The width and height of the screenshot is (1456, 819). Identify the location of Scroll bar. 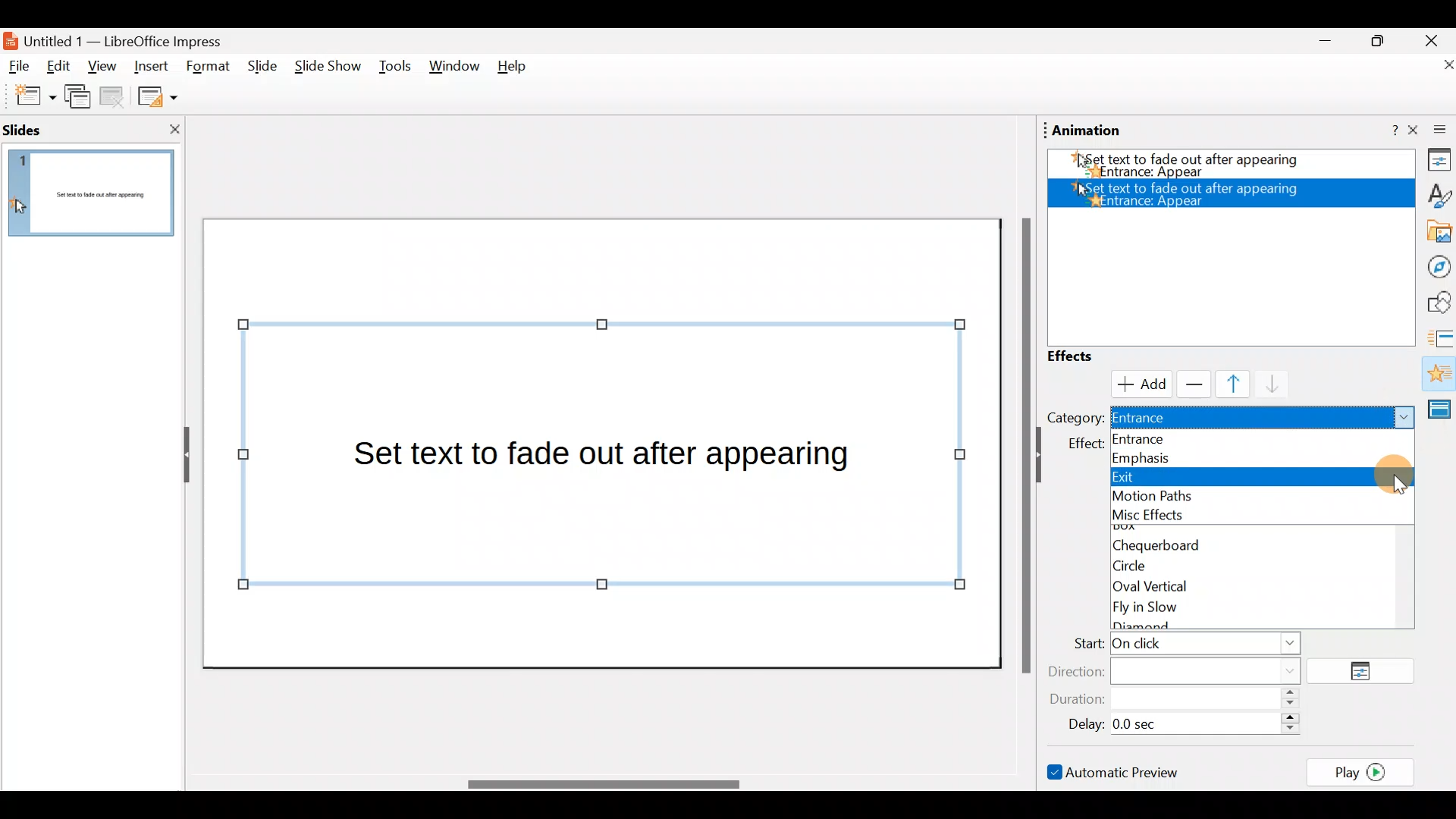
(1023, 444).